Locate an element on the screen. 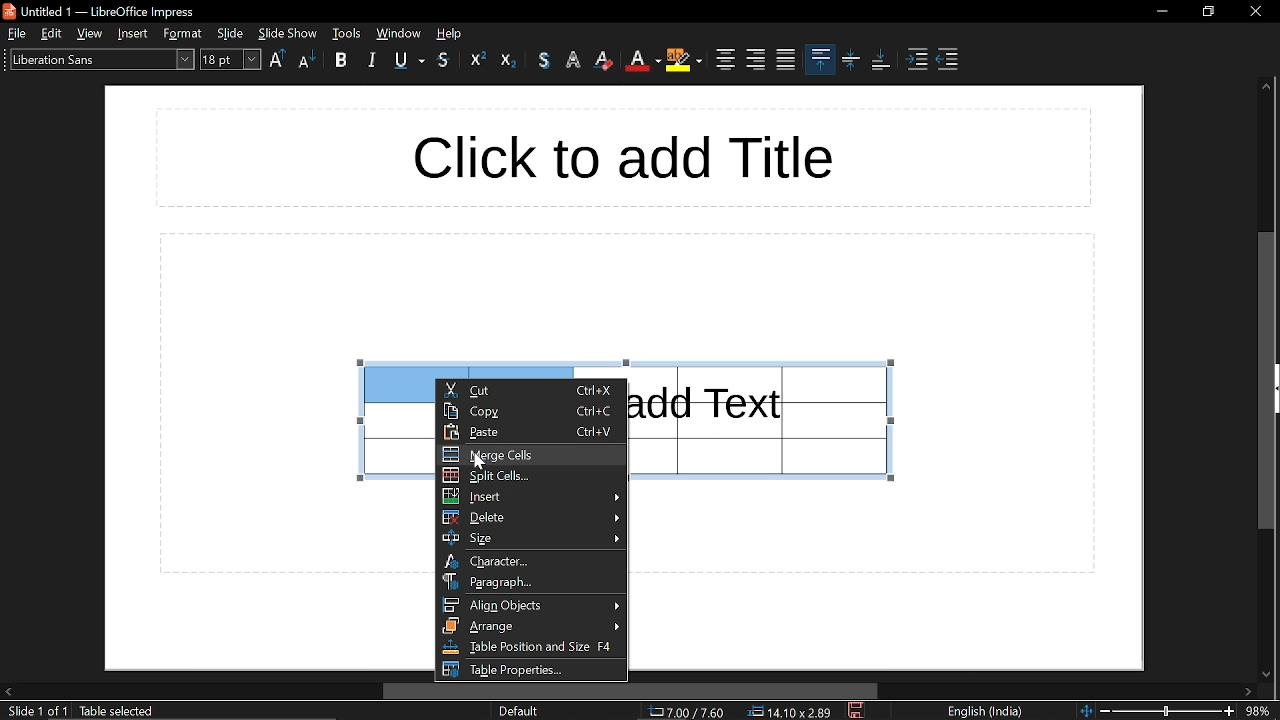 The height and width of the screenshot is (720, 1280). Character is located at coordinates (533, 562).